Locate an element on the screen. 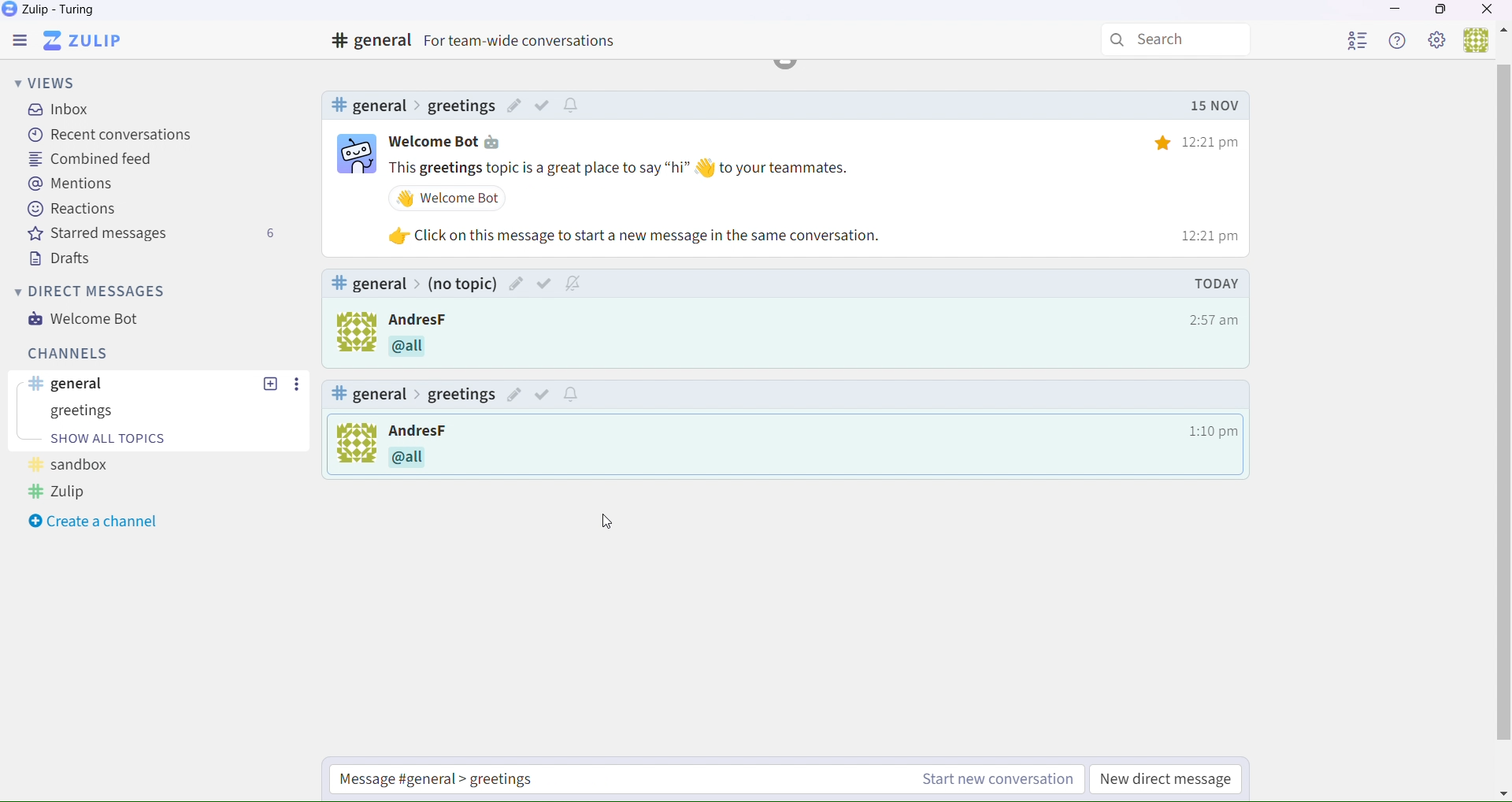 Image resolution: width=1512 pixels, height=802 pixels. Experiments is located at coordinates (94, 466).